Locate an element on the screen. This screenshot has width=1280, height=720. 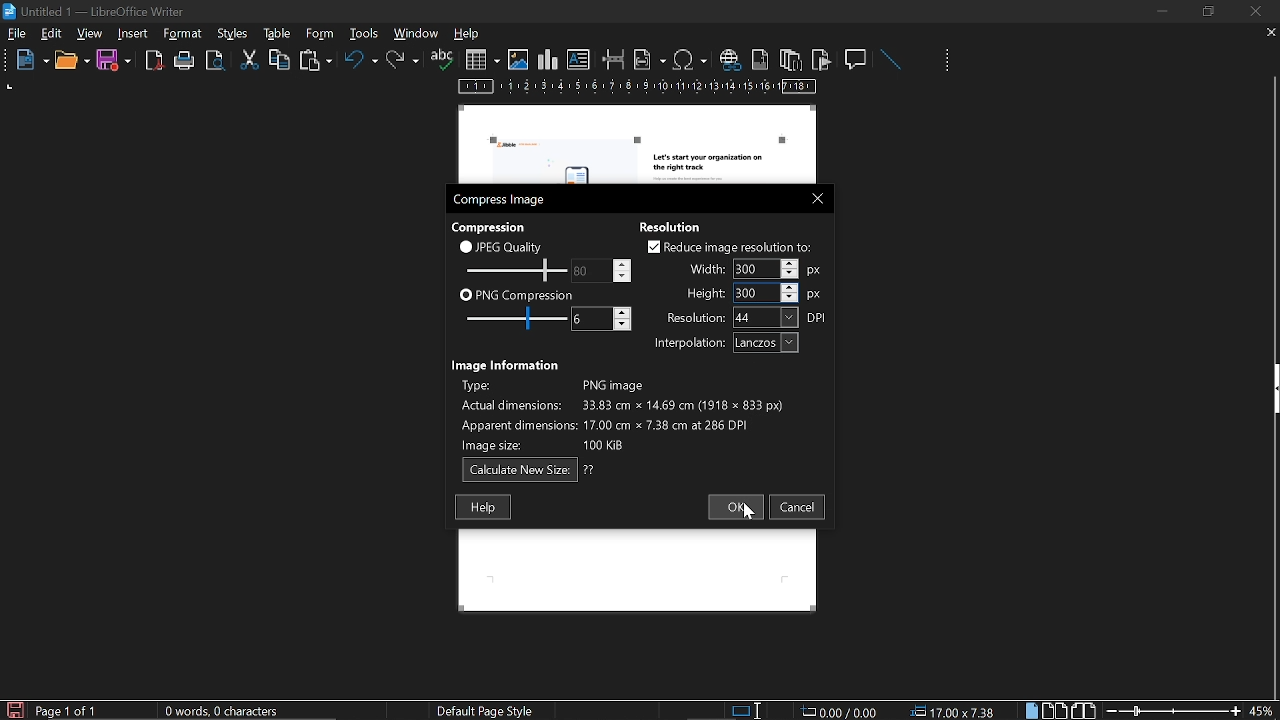
tools is located at coordinates (186, 34).